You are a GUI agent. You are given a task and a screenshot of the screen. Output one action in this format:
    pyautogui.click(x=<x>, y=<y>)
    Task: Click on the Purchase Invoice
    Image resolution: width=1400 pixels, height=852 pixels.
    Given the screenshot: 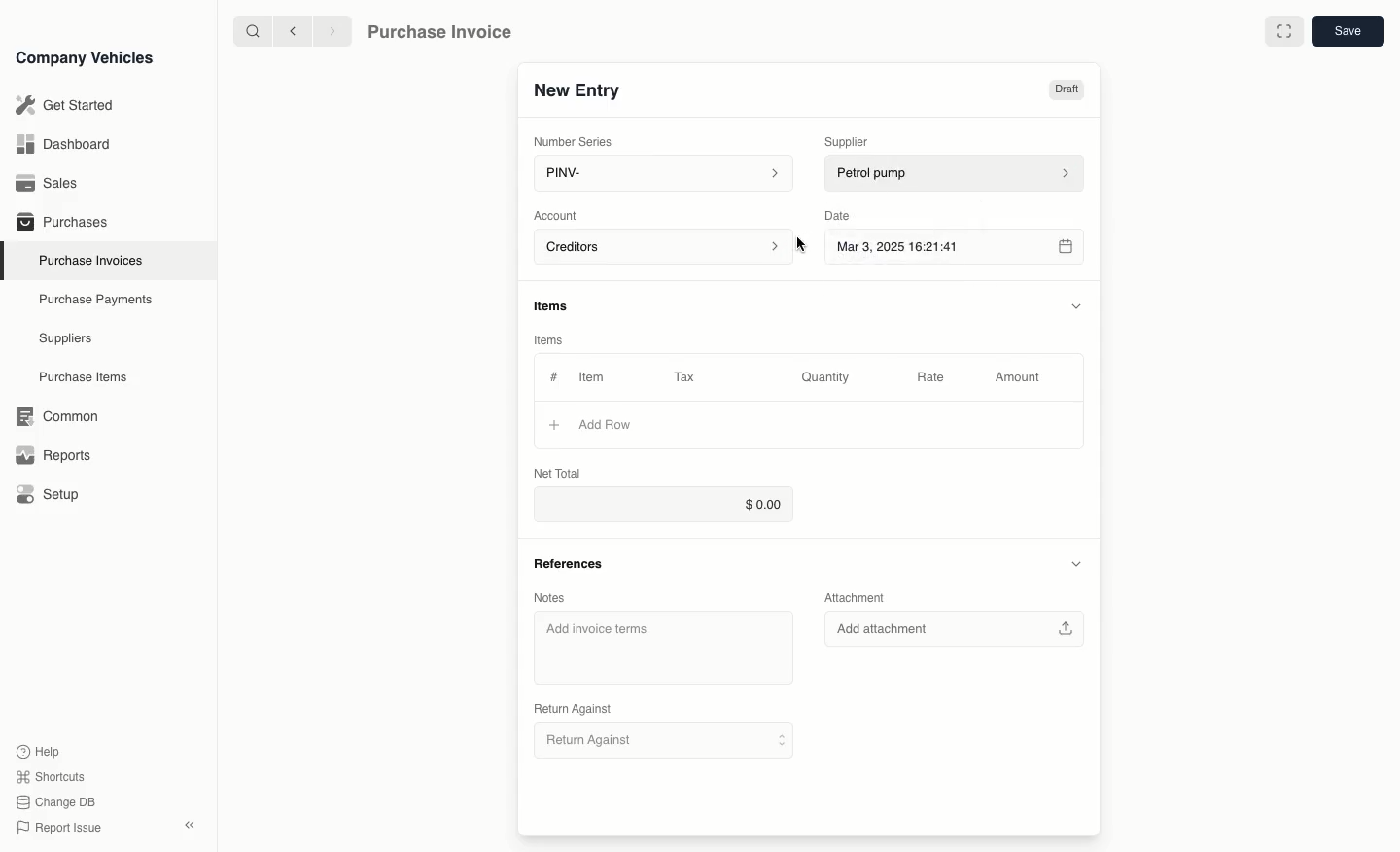 What is the action you would take?
    pyautogui.click(x=453, y=30)
    